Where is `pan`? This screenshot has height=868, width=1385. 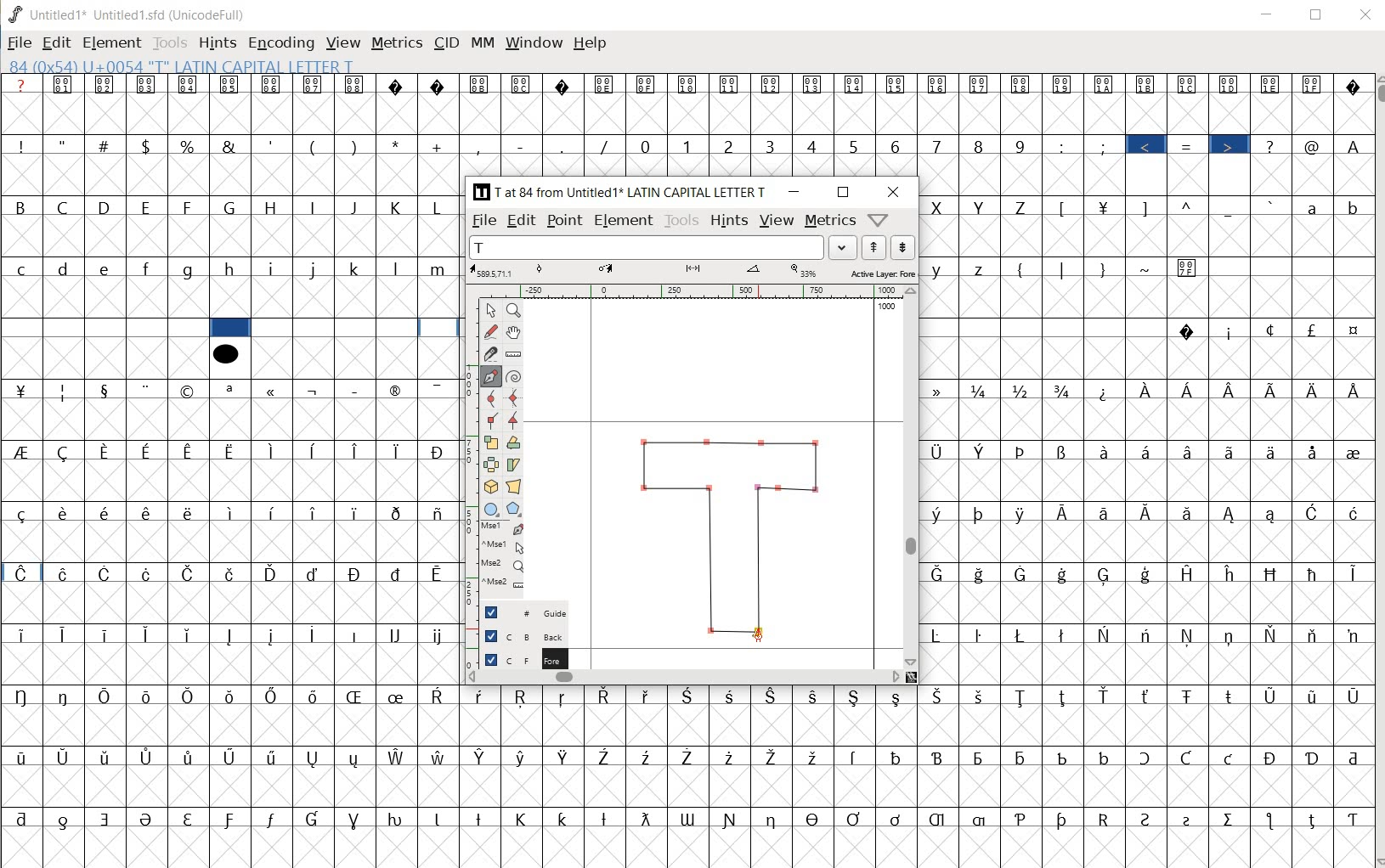 pan is located at coordinates (516, 330).